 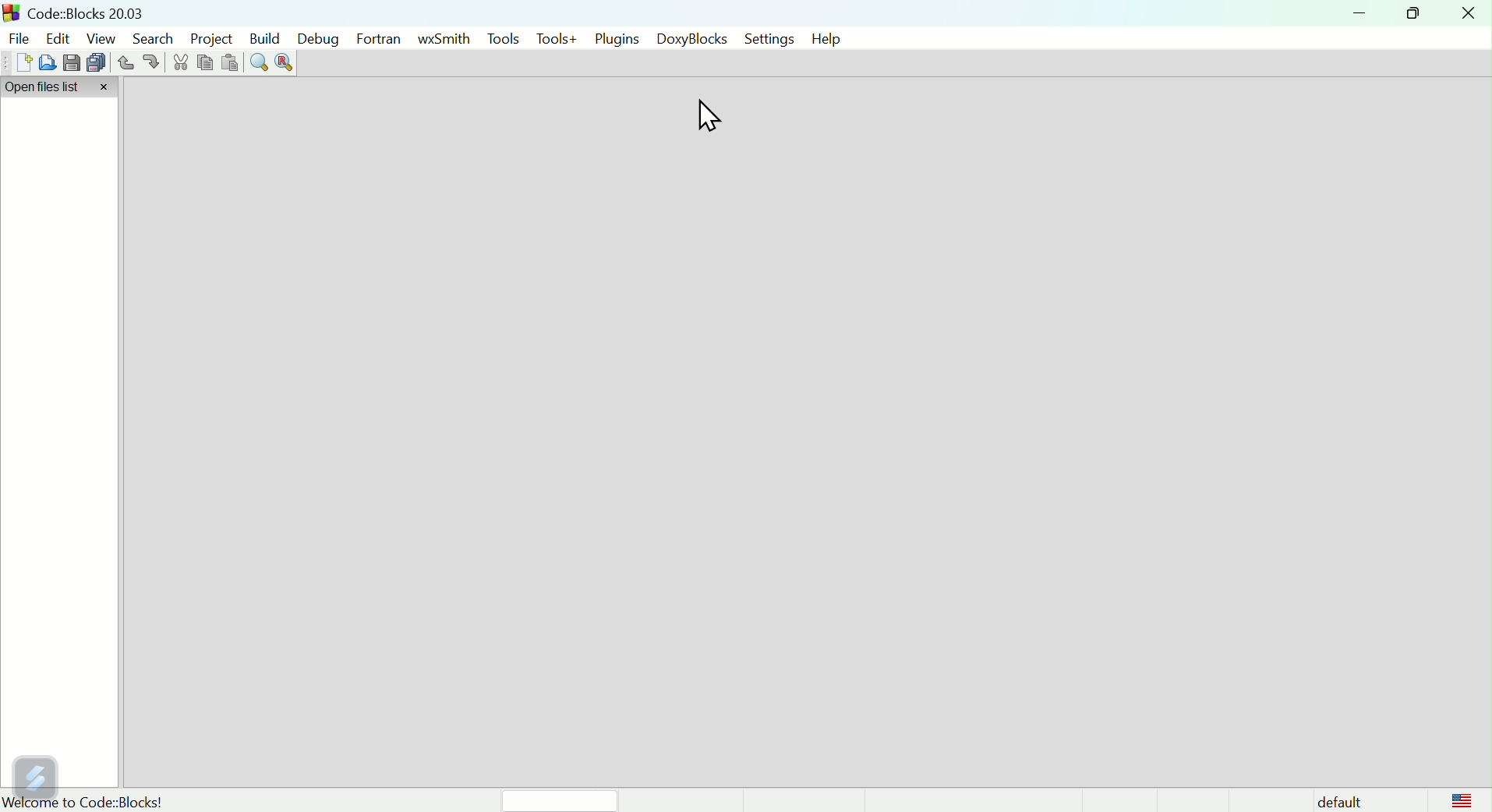 I want to click on Close, so click(x=1469, y=17).